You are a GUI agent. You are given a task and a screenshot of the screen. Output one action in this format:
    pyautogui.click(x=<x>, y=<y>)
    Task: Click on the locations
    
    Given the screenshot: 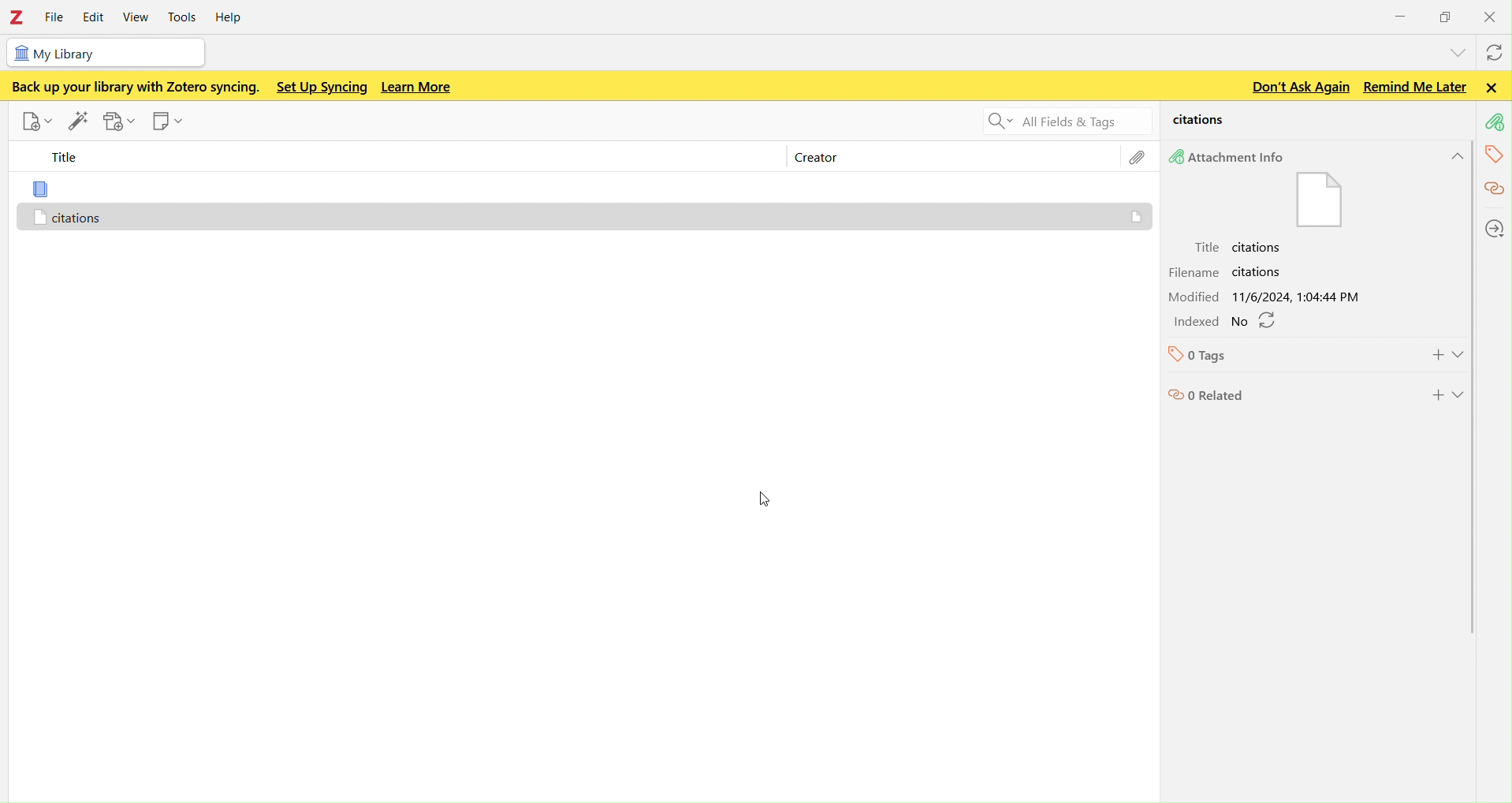 What is the action you would take?
    pyautogui.click(x=1501, y=229)
    